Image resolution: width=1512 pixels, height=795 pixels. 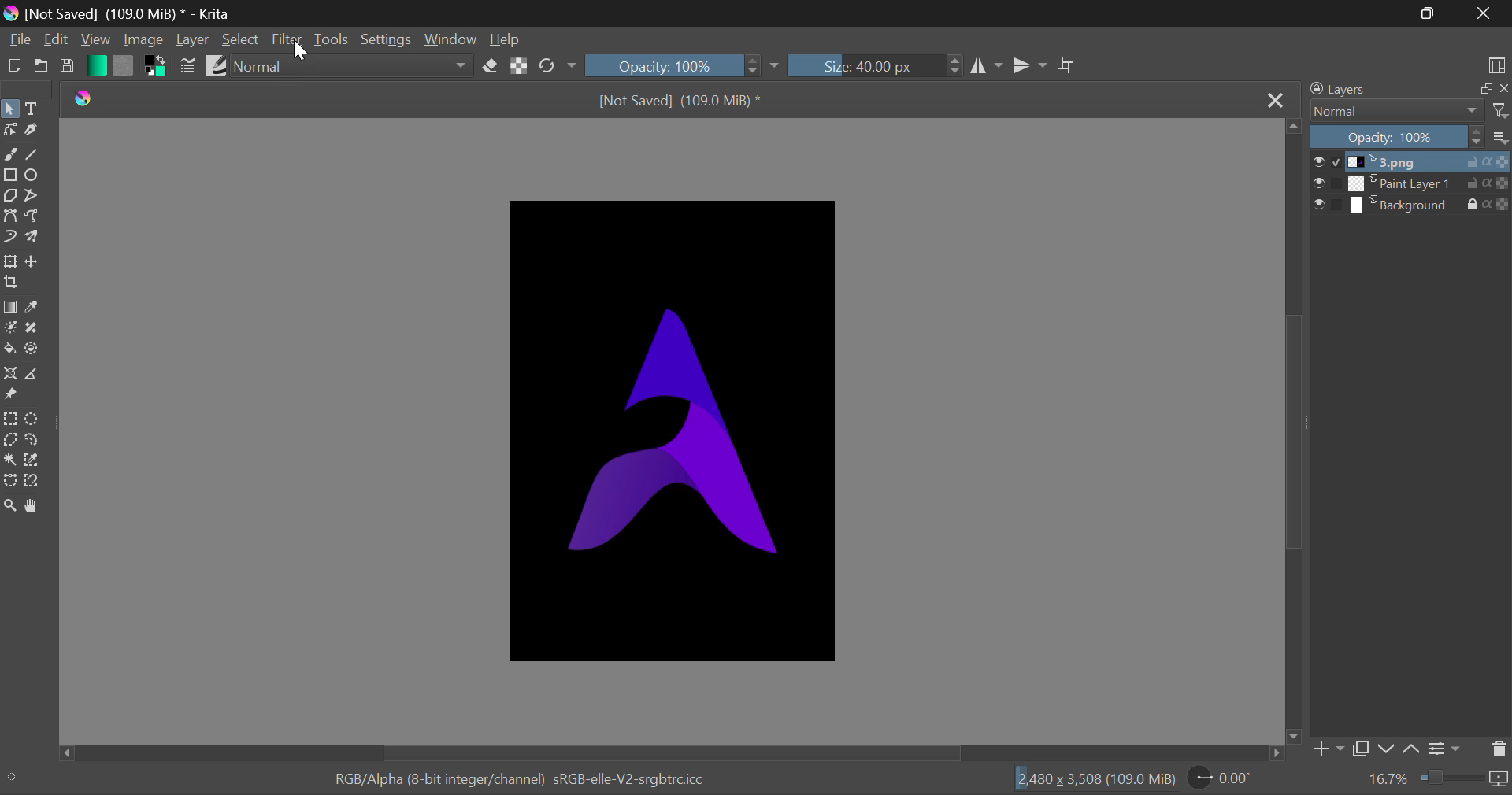 I want to click on Cursor Position, so click(x=298, y=48).